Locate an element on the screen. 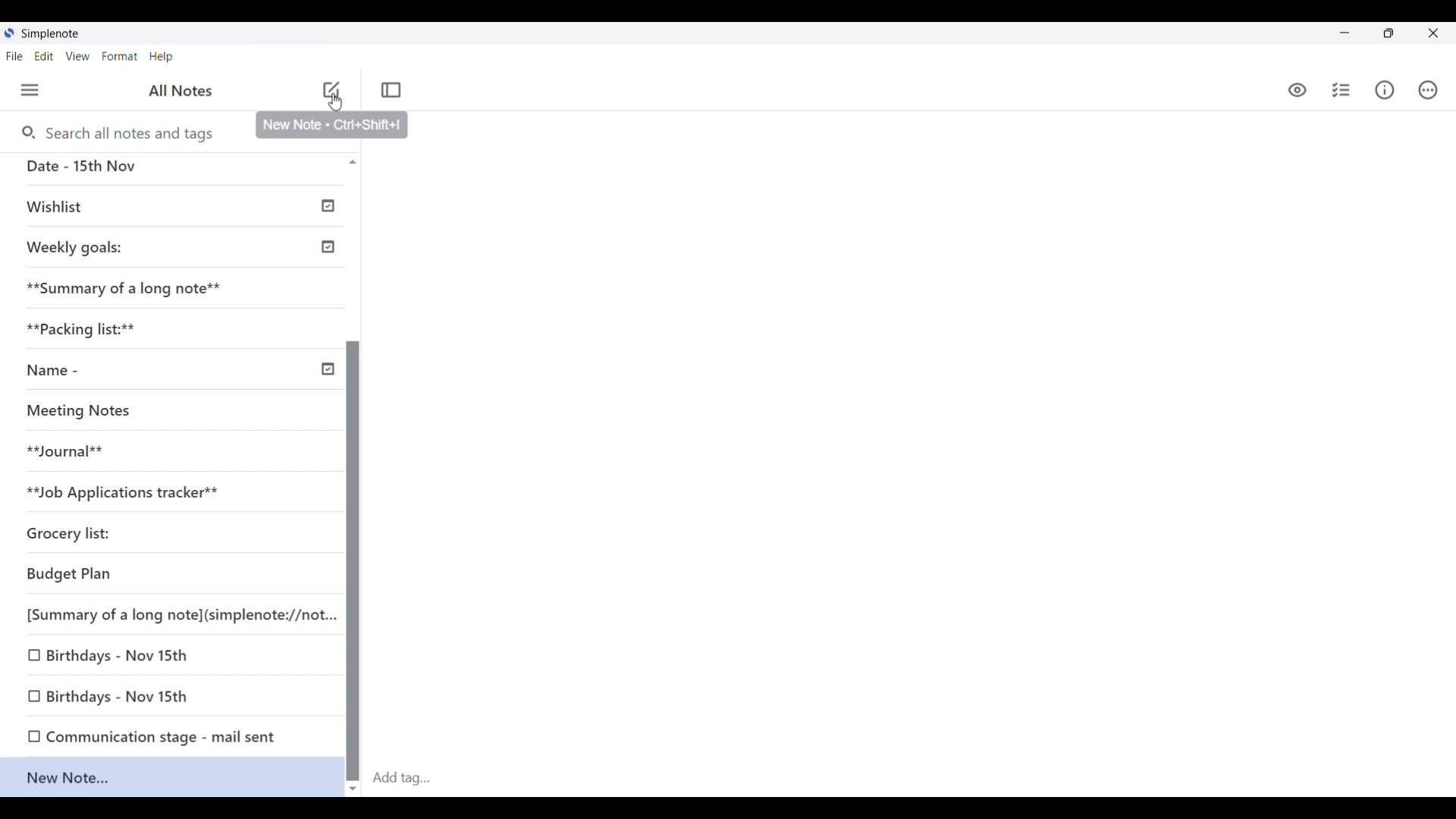  [Summary of a long note](simplenote://not... is located at coordinates (178, 614).